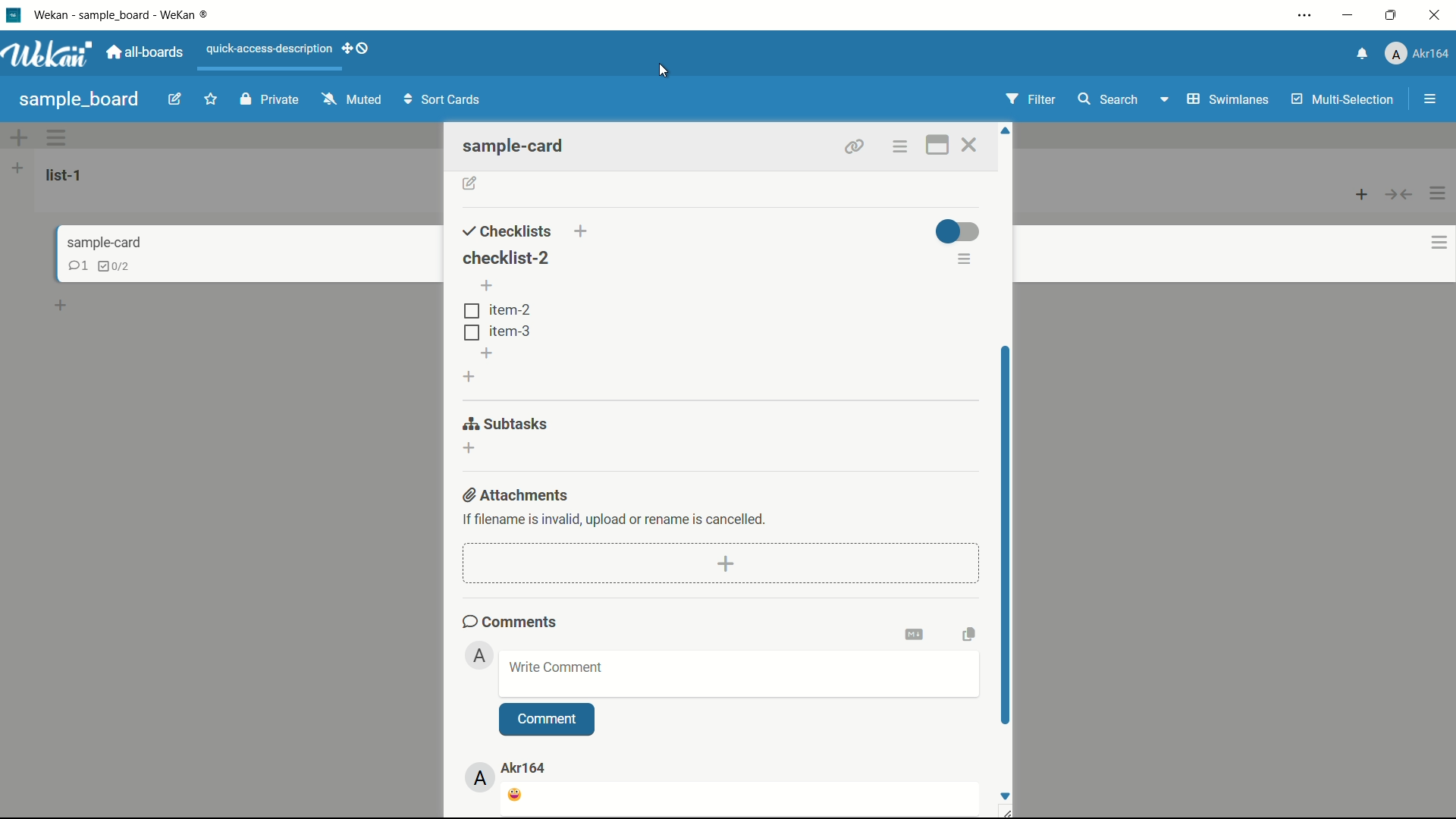  Describe the element at coordinates (470, 376) in the screenshot. I see `add checklist` at that location.